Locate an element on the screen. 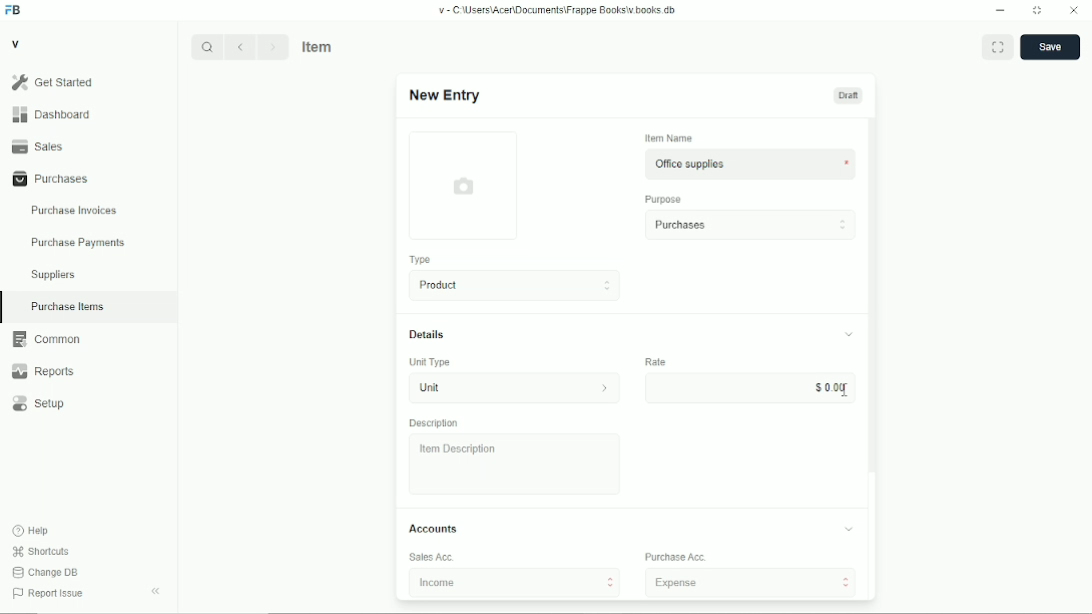 Image resolution: width=1092 pixels, height=614 pixels. accounts is located at coordinates (433, 528).